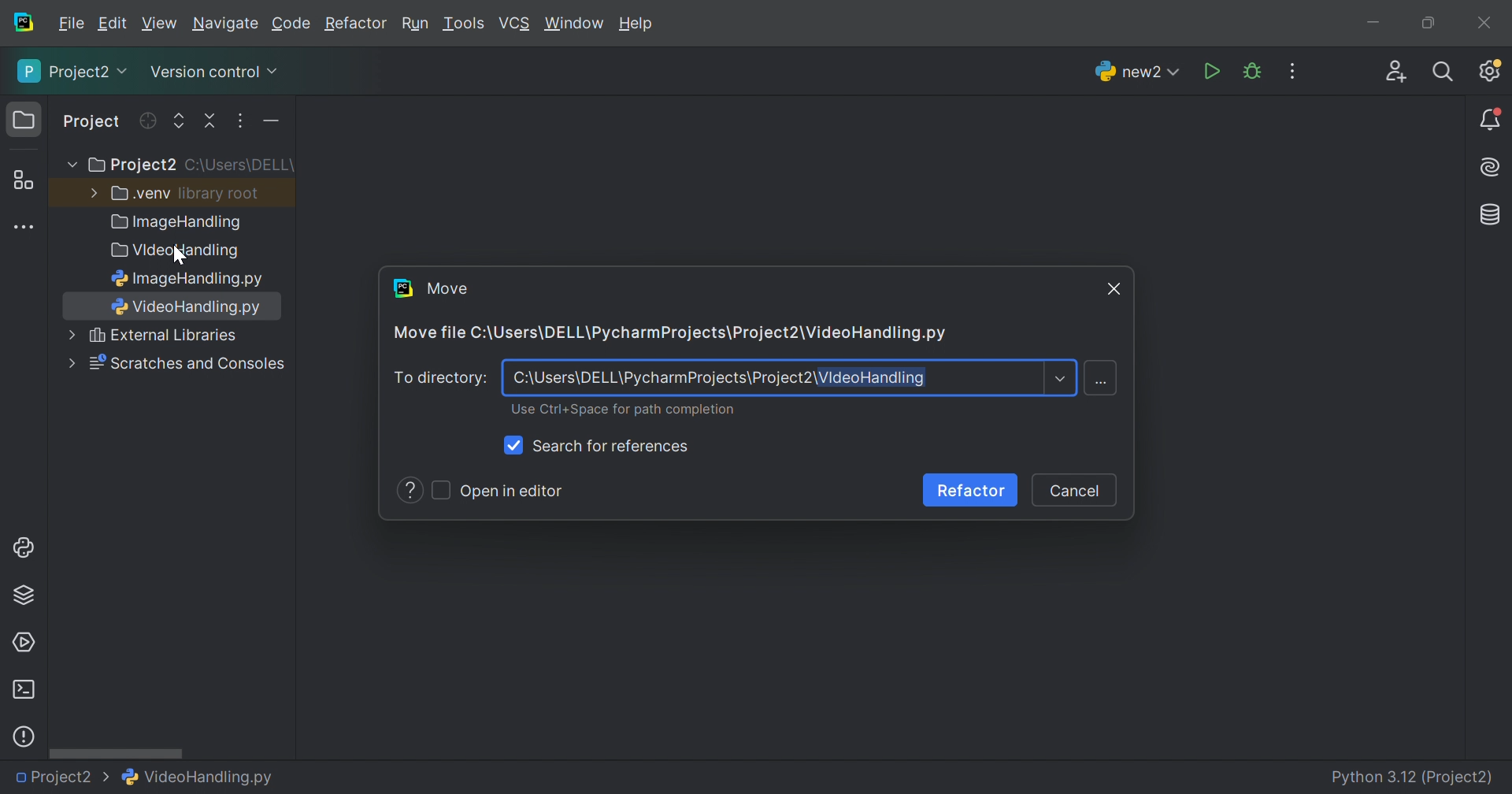 The height and width of the screenshot is (794, 1512). I want to click on Structure, so click(23, 181).